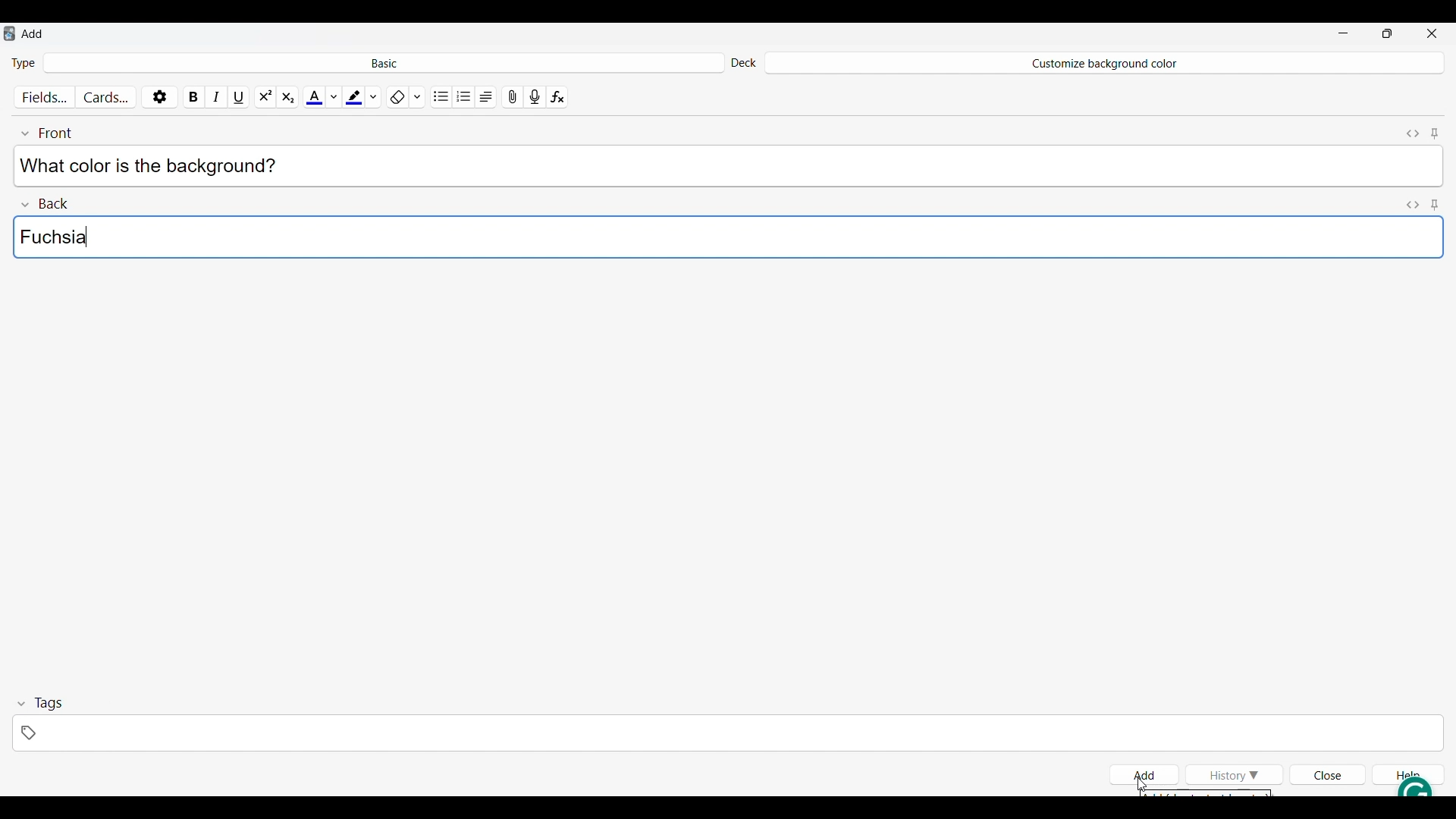  I want to click on Close interface, so click(1432, 33).